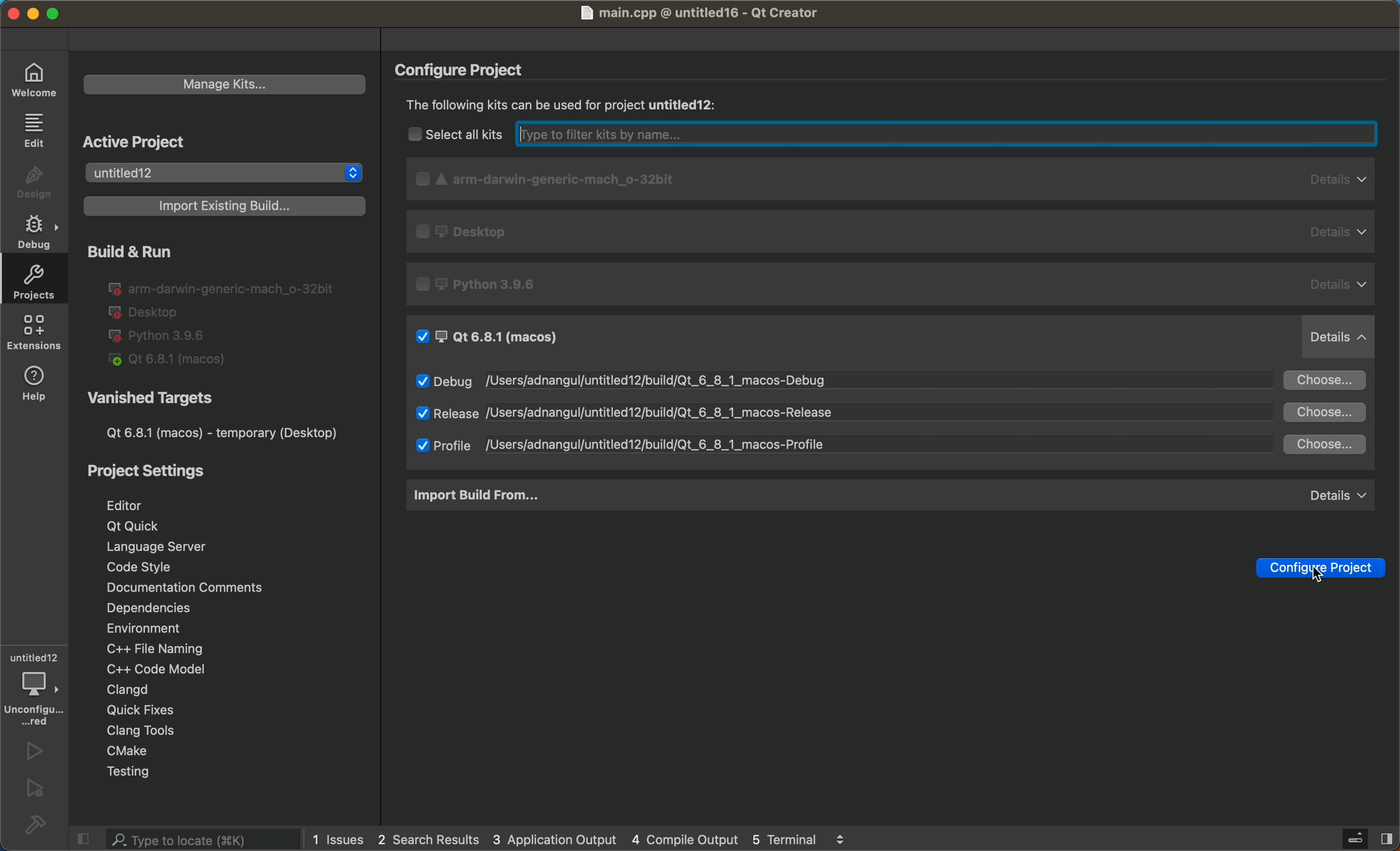 Image resolution: width=1400 pixels, height=851 pixels. I want to click on active project, so click(142, 139).